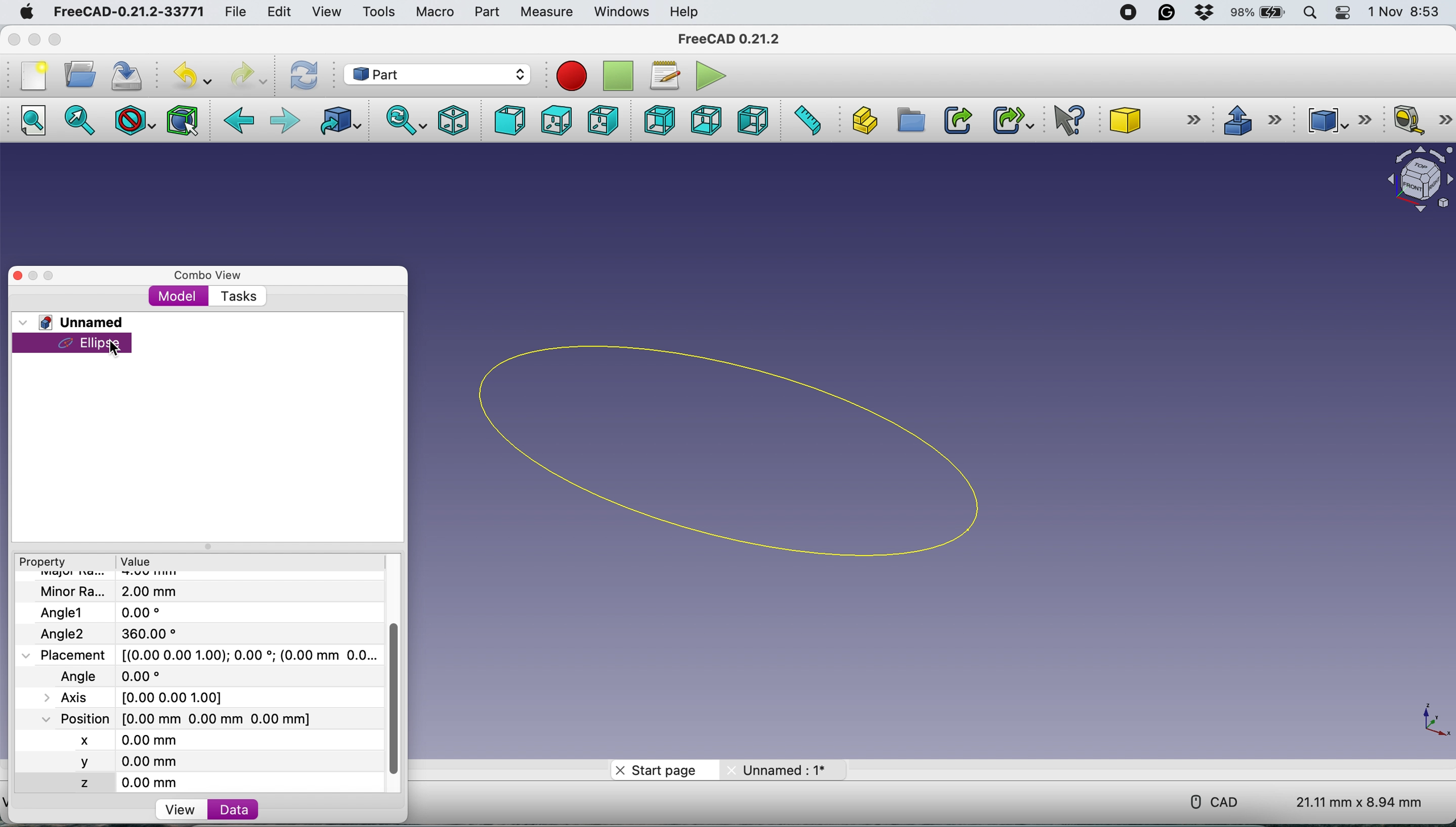 This screenshot has width=1456, height=827. What do you see at coordinates (664, 74) in the screenshot?
I see `macros` at bounding box center [664, 74].